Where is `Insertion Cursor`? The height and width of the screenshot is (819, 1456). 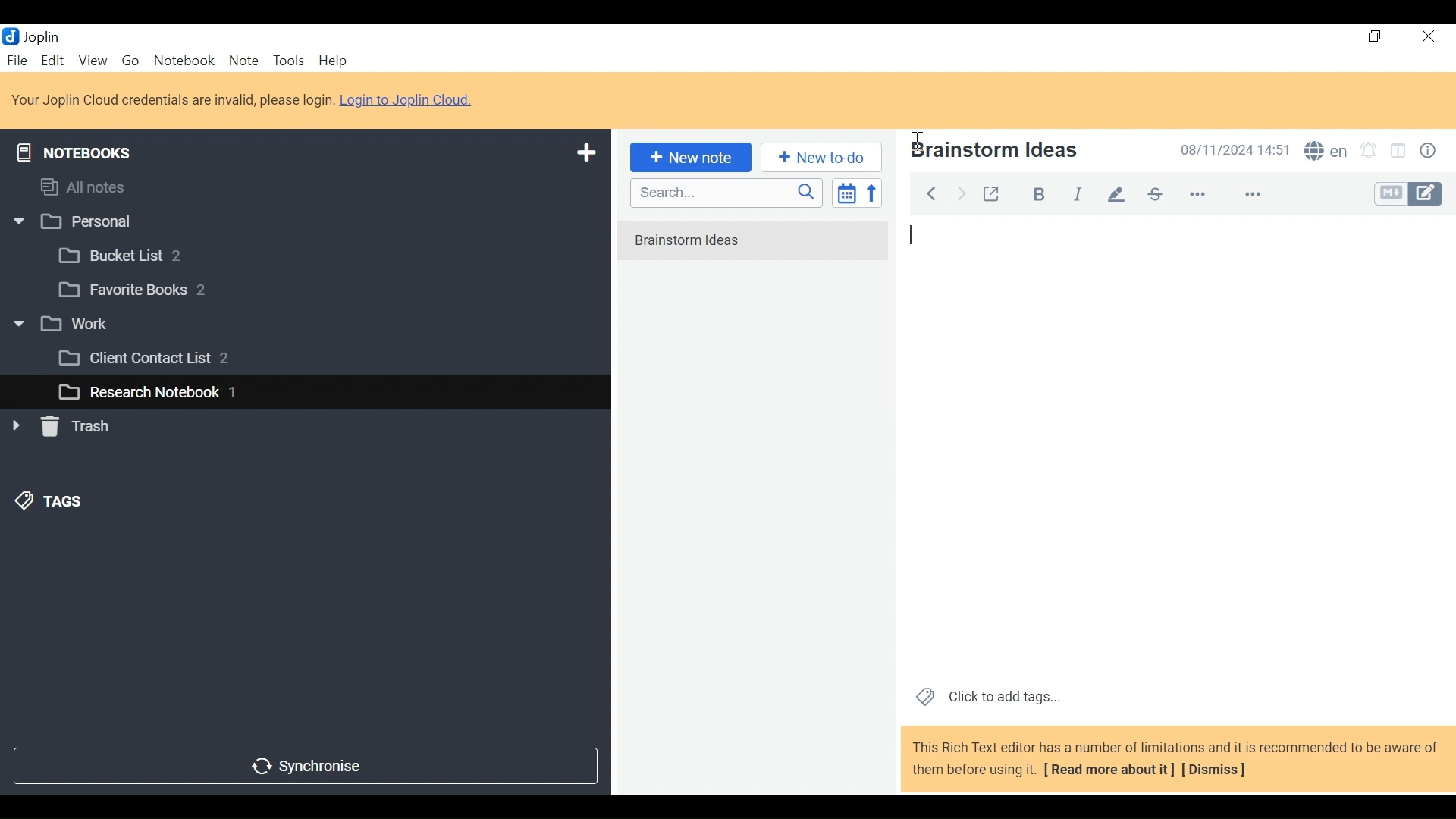
Insertion Cursor is located at coordinates (917, 135).